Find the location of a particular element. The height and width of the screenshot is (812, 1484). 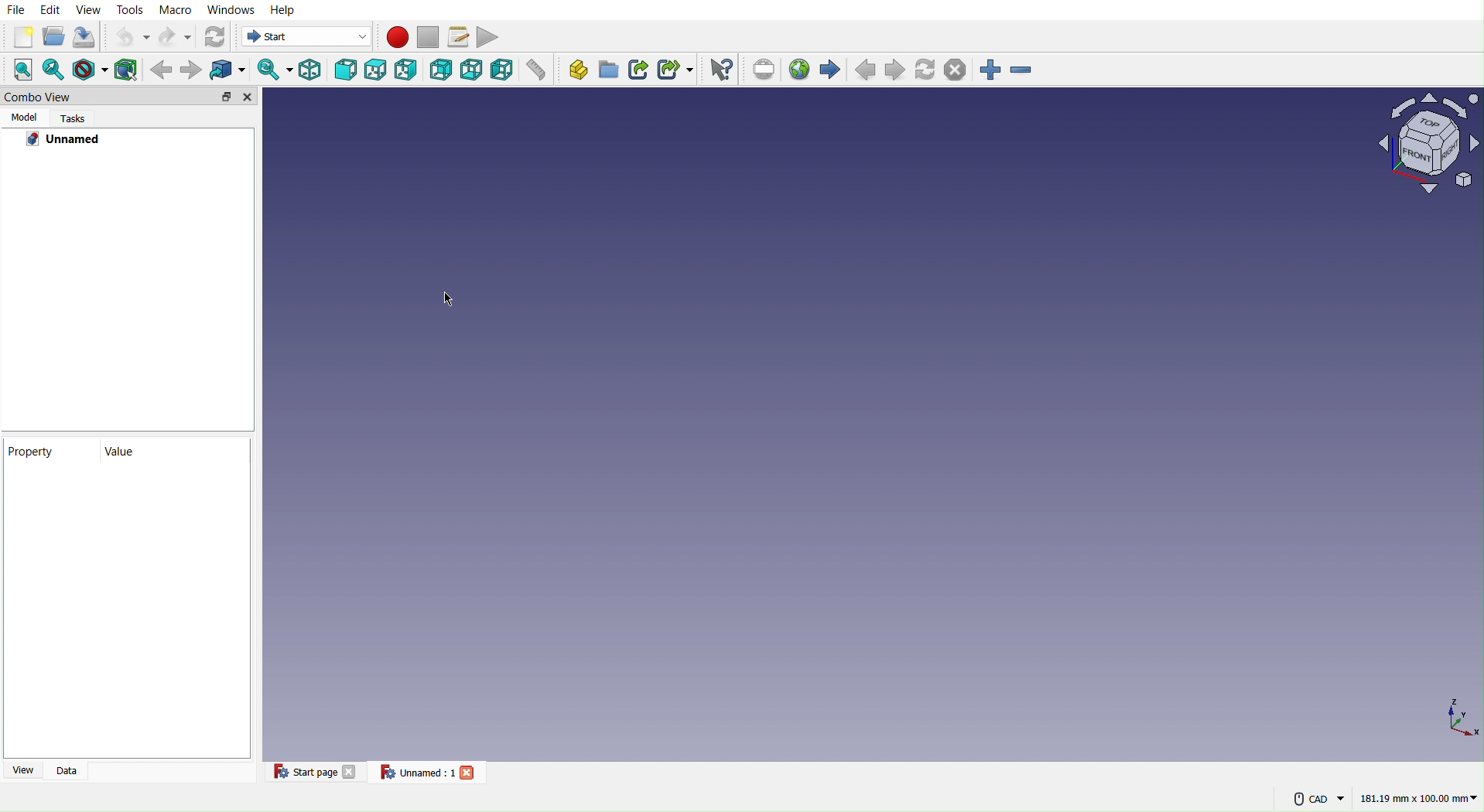

Save the active document is located at coordinates (86, 37).